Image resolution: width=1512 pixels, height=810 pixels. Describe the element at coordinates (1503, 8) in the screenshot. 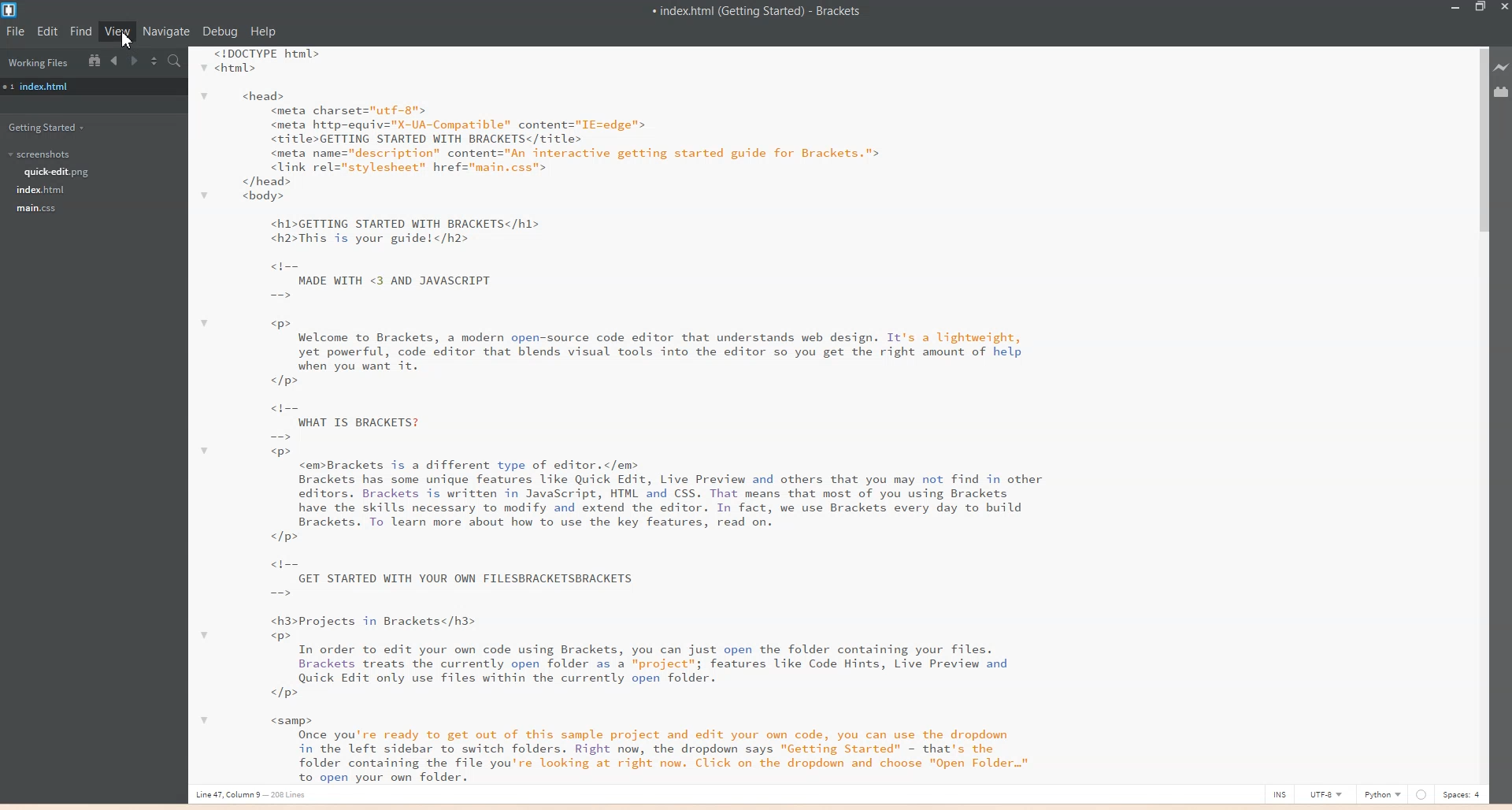

I see `Close` at that location.